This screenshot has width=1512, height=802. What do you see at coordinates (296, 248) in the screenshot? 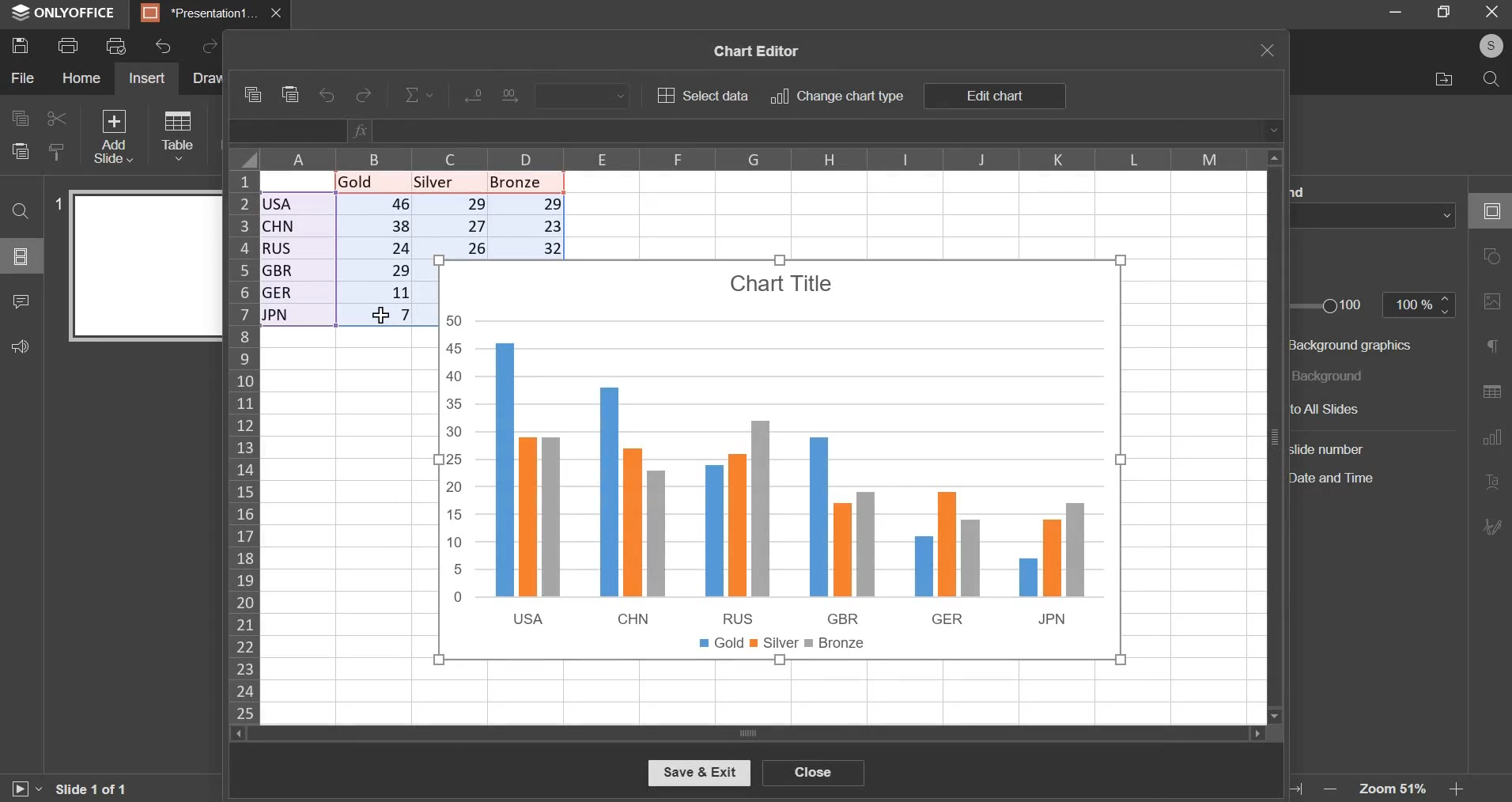
I see `rus` at bounding box center [296, 248].